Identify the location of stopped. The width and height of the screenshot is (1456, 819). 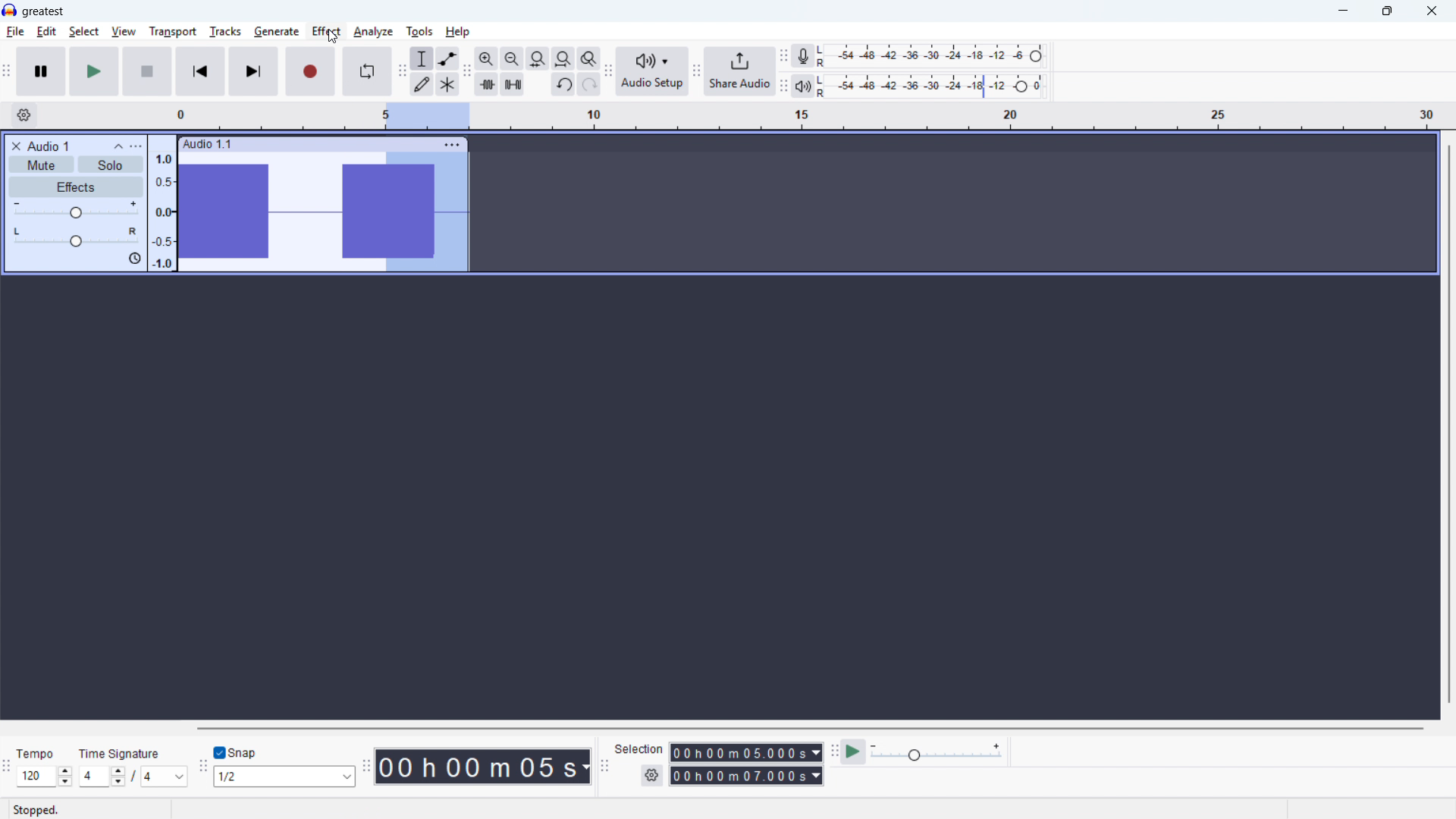
(36, 811).